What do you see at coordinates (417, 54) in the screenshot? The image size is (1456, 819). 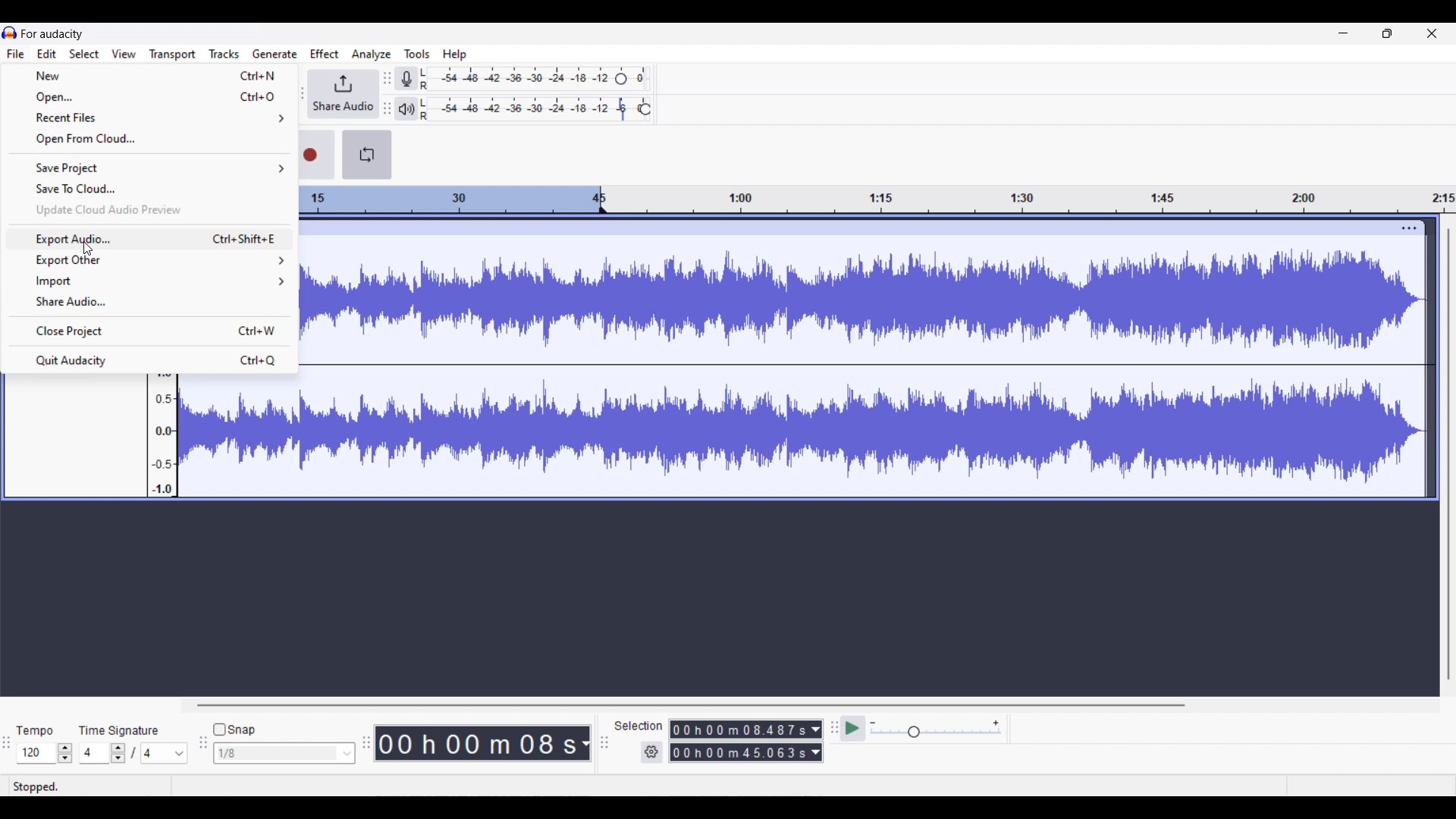 I see `Tools menu` at bounding box center [417, 54].